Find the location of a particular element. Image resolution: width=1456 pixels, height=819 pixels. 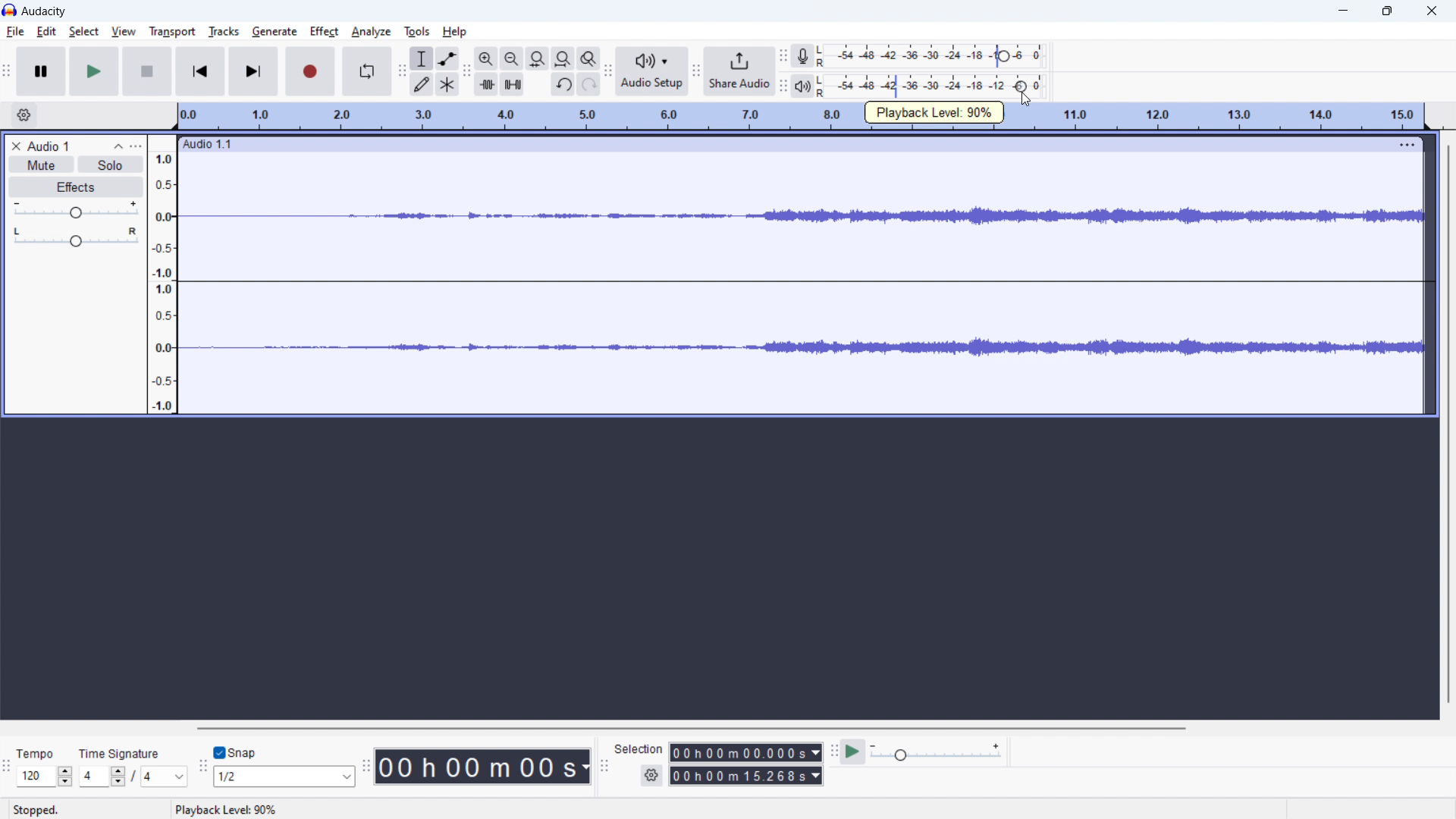

file is located at coordinates (15, 31).